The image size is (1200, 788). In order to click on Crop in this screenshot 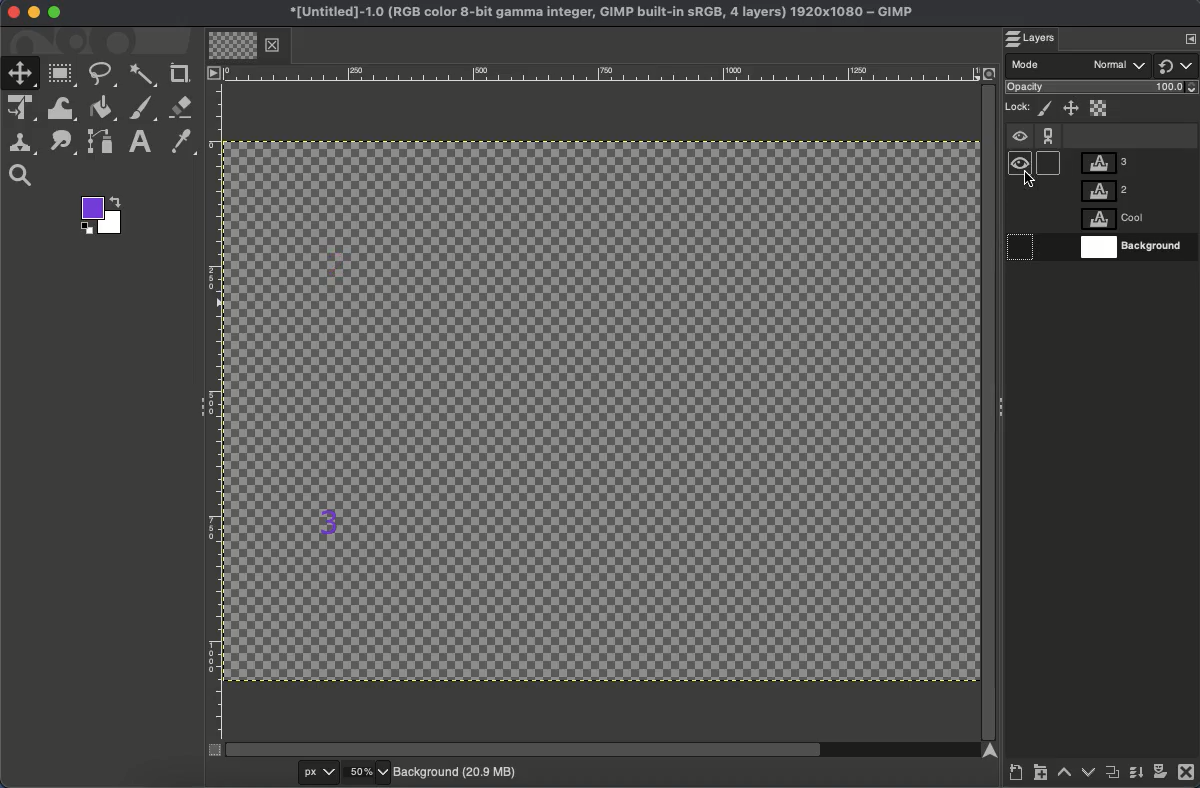, I will do `click(181, 72)`.